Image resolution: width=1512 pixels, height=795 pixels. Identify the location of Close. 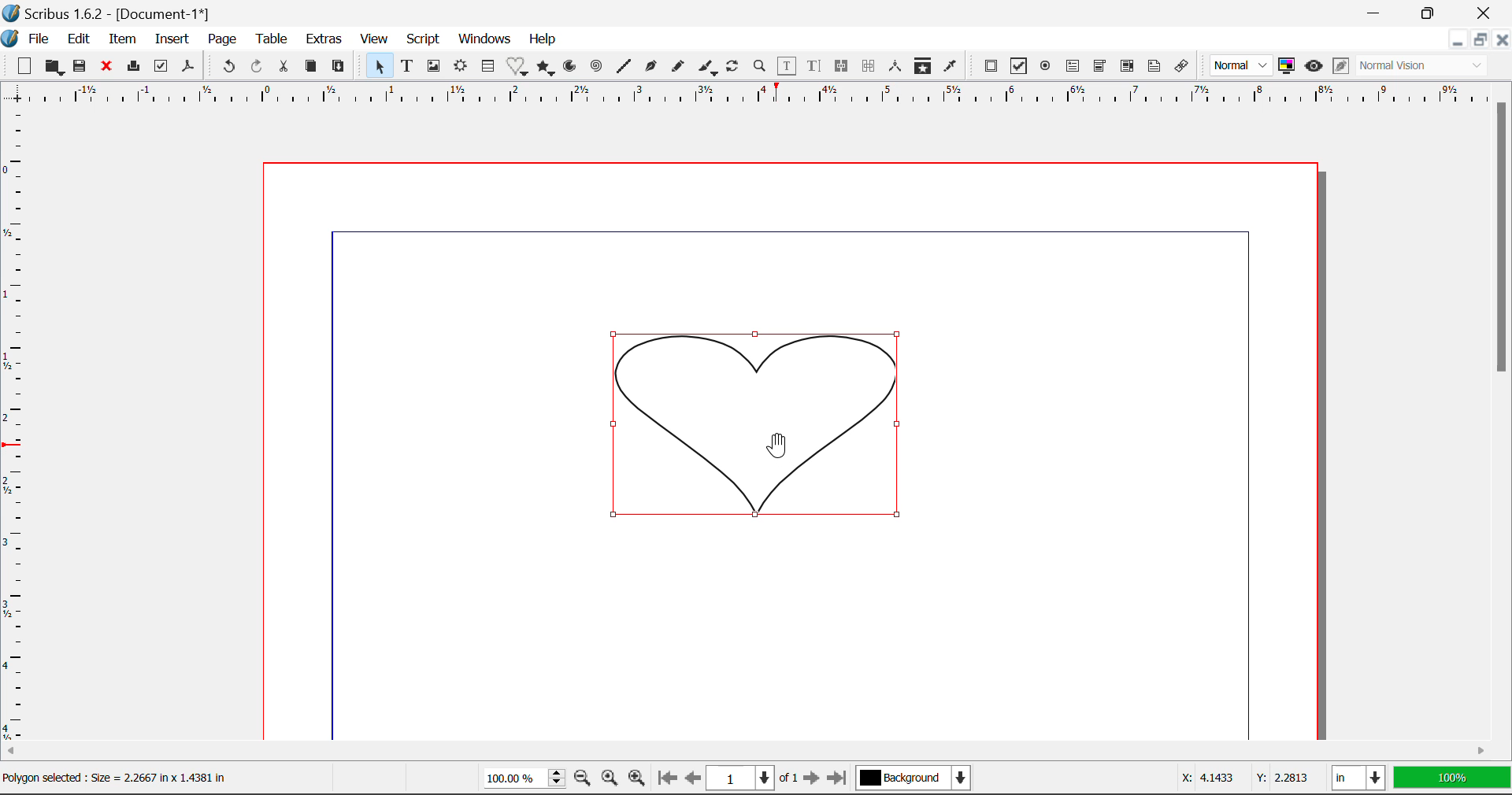
(109, 68).